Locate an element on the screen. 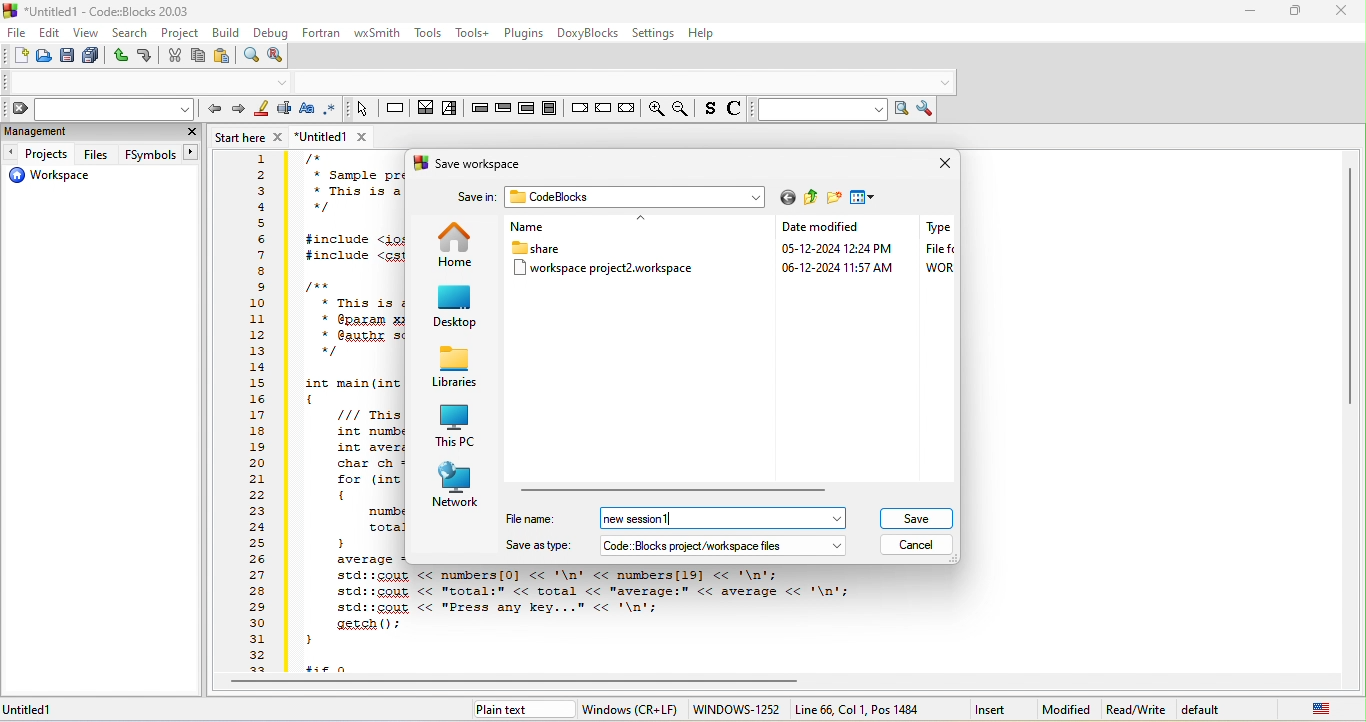 The height and width of the screenshot is (722, 1366).  go to last folder visit is located at coordinates (785, 199).